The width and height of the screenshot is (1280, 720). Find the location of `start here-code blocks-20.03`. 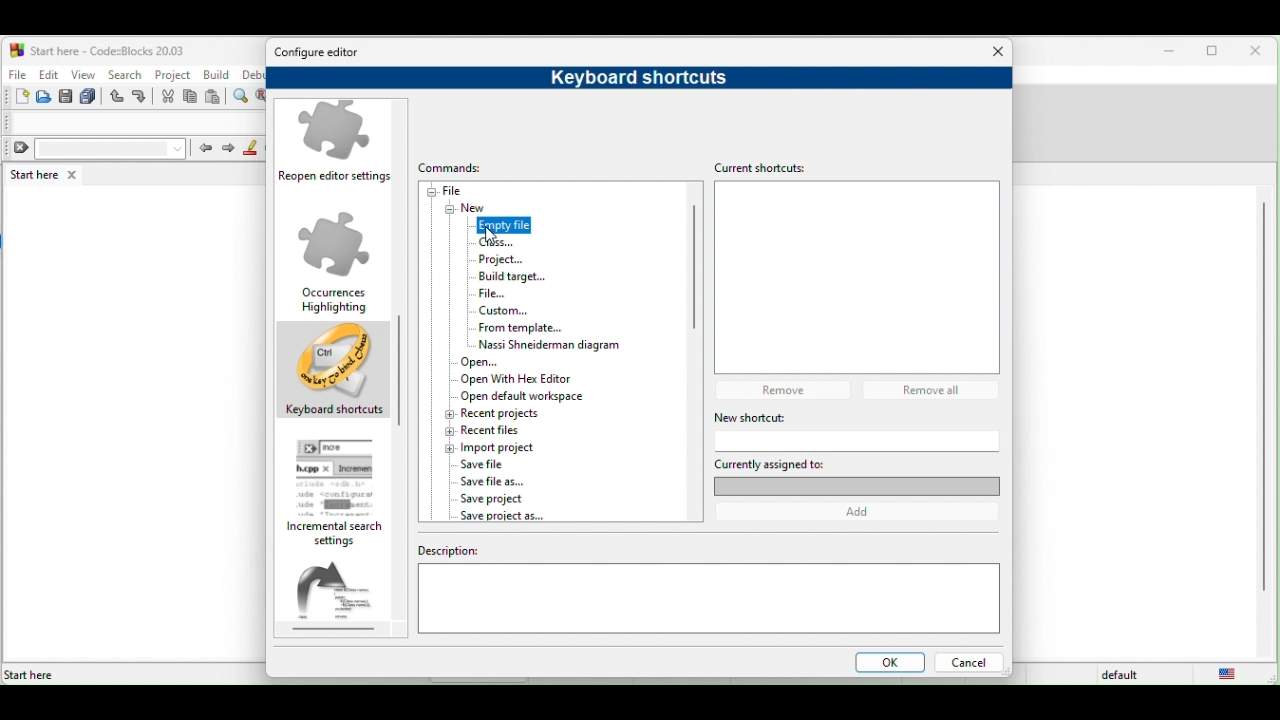

start here-code blocks-20.03 is located at coordinates (97, 49).